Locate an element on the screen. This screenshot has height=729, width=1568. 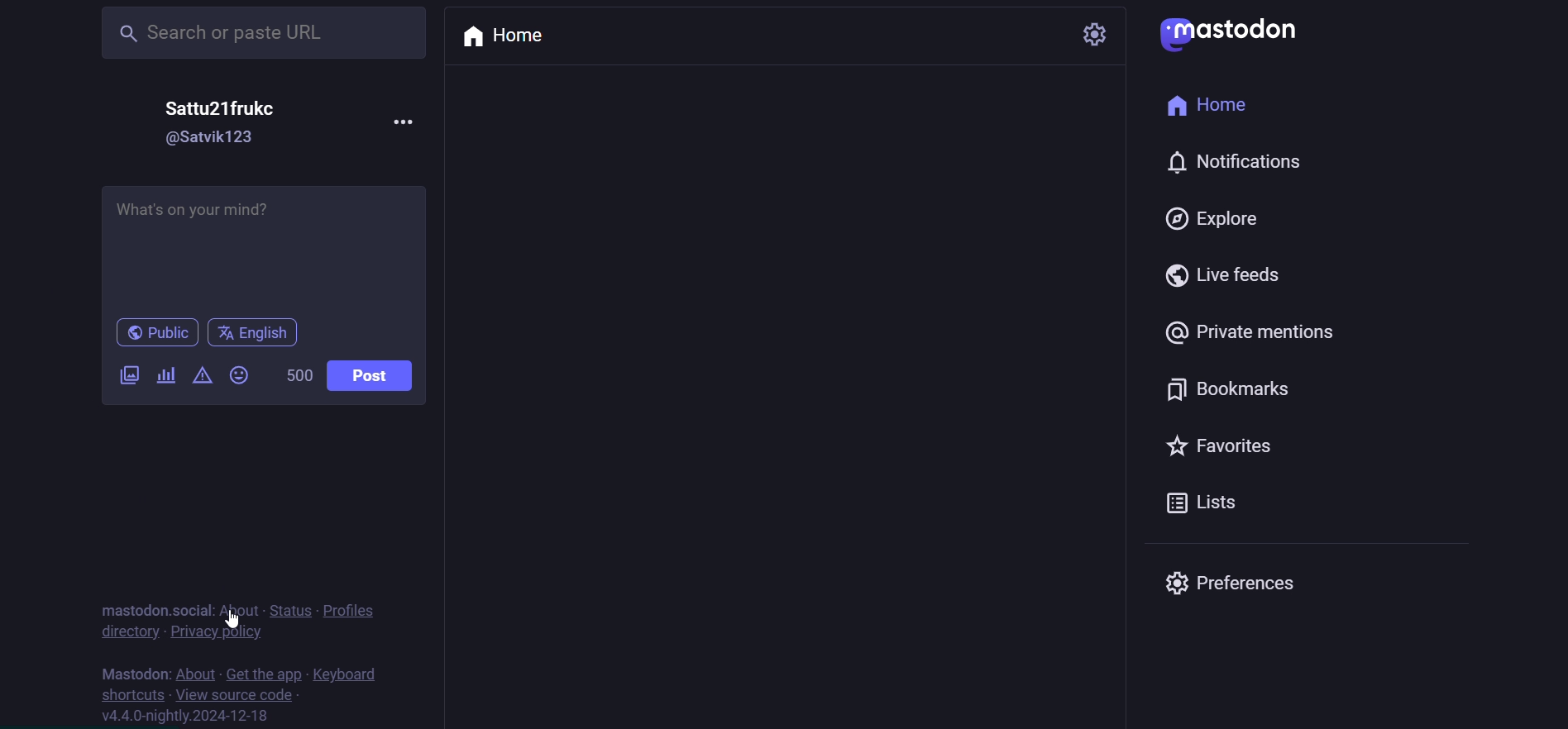
content warning is located at coordinates (201, 375).